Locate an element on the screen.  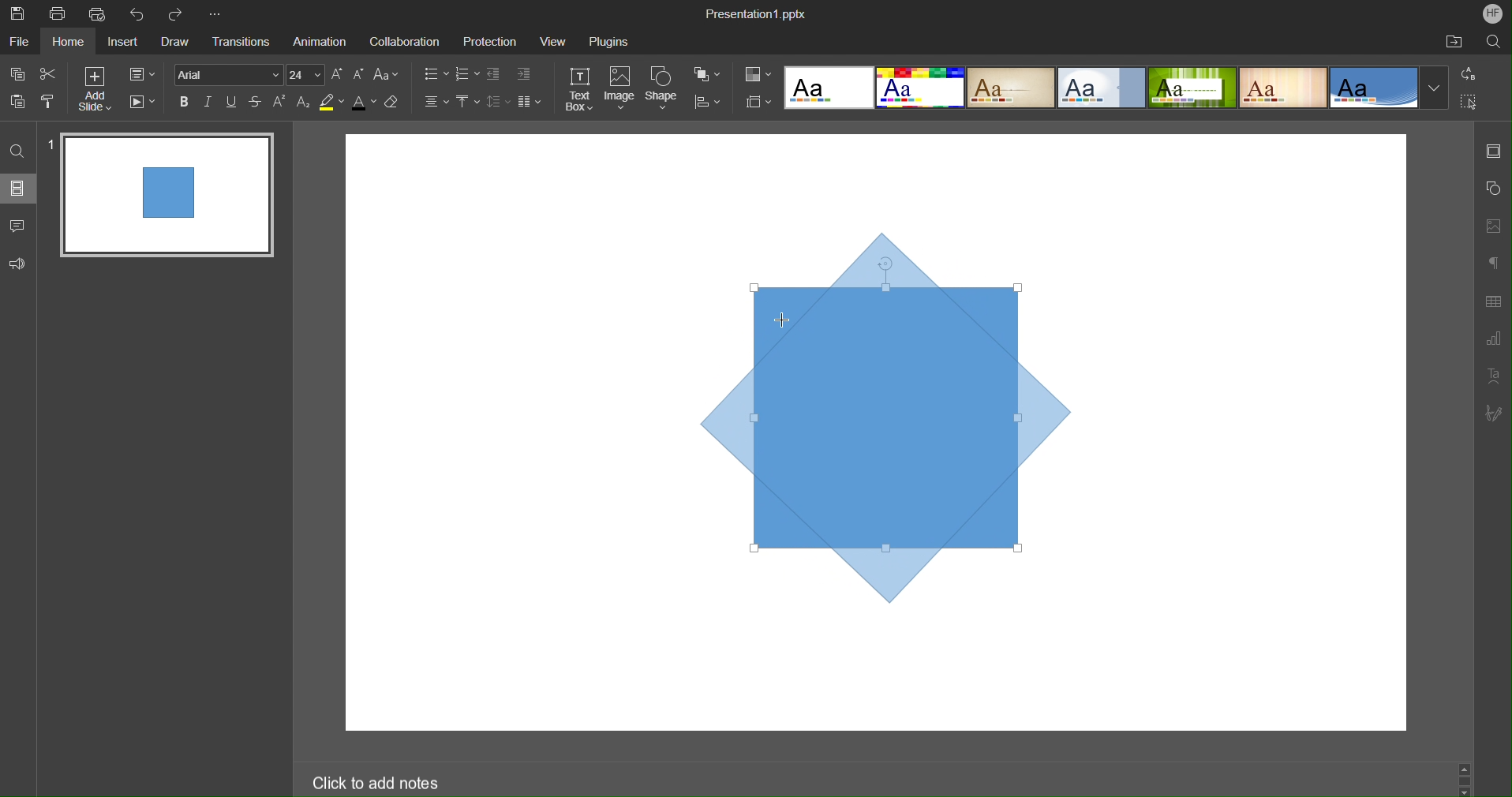
View is located at coordinates (554, 39).